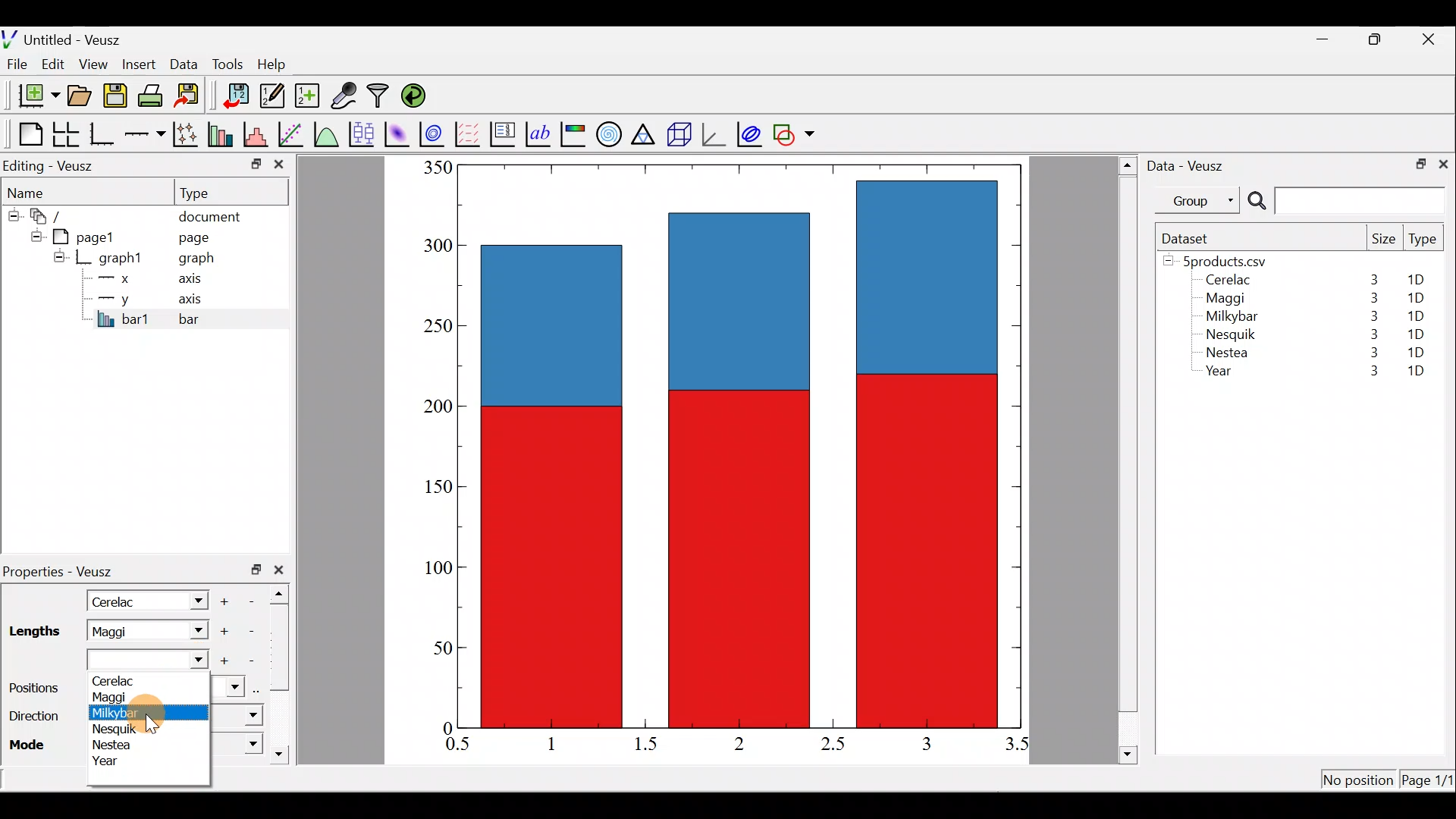 This screenshot has width=1456, height=819. Describe the element at coordinates (121, 259) in the screenshot. I see `graph1` at that location.